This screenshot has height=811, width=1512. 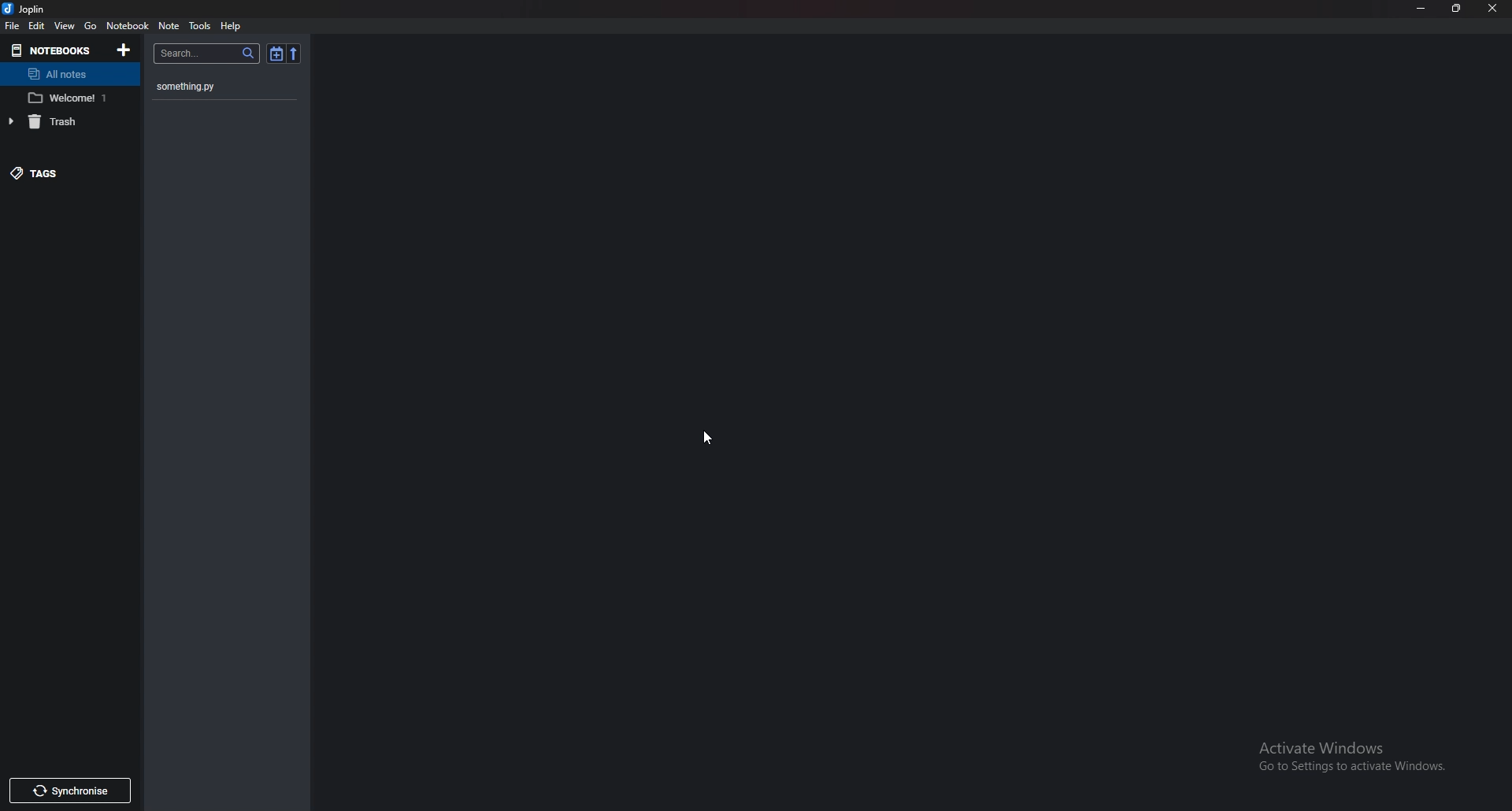 I want to click on cursor, so click(x=713, y=437).